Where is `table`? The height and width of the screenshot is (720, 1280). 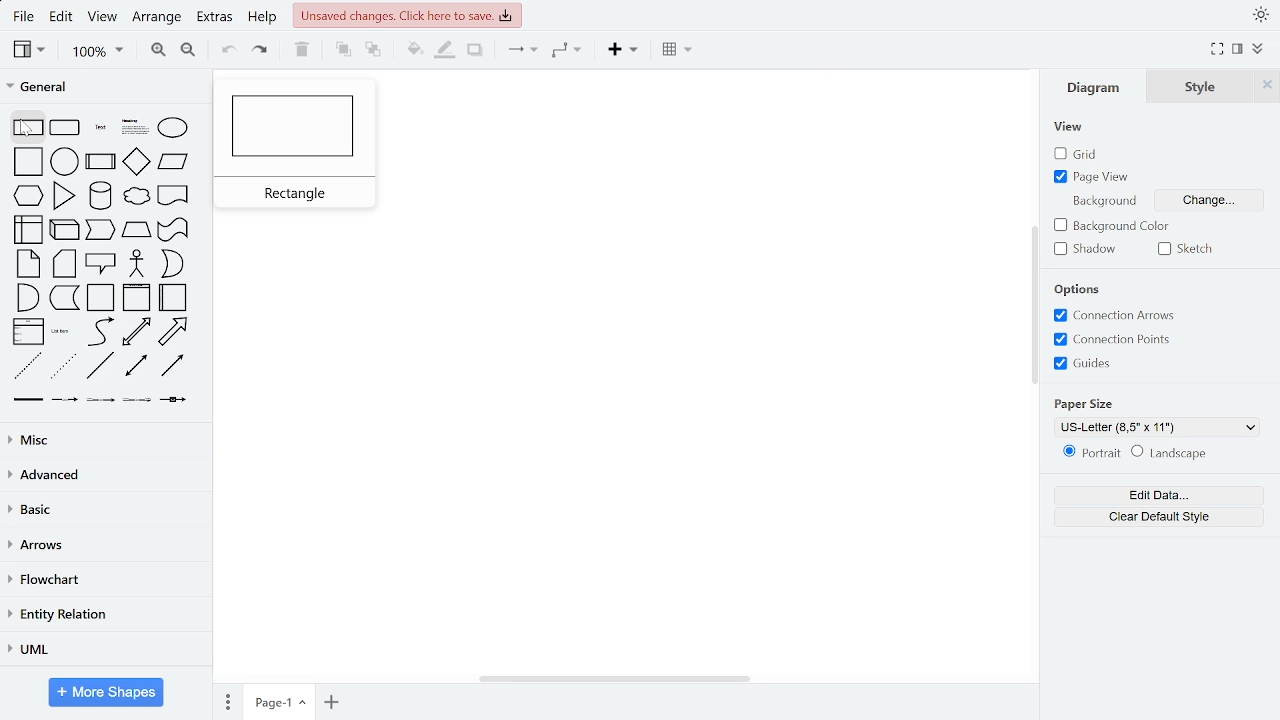
table is located at coordinates (680, 51).